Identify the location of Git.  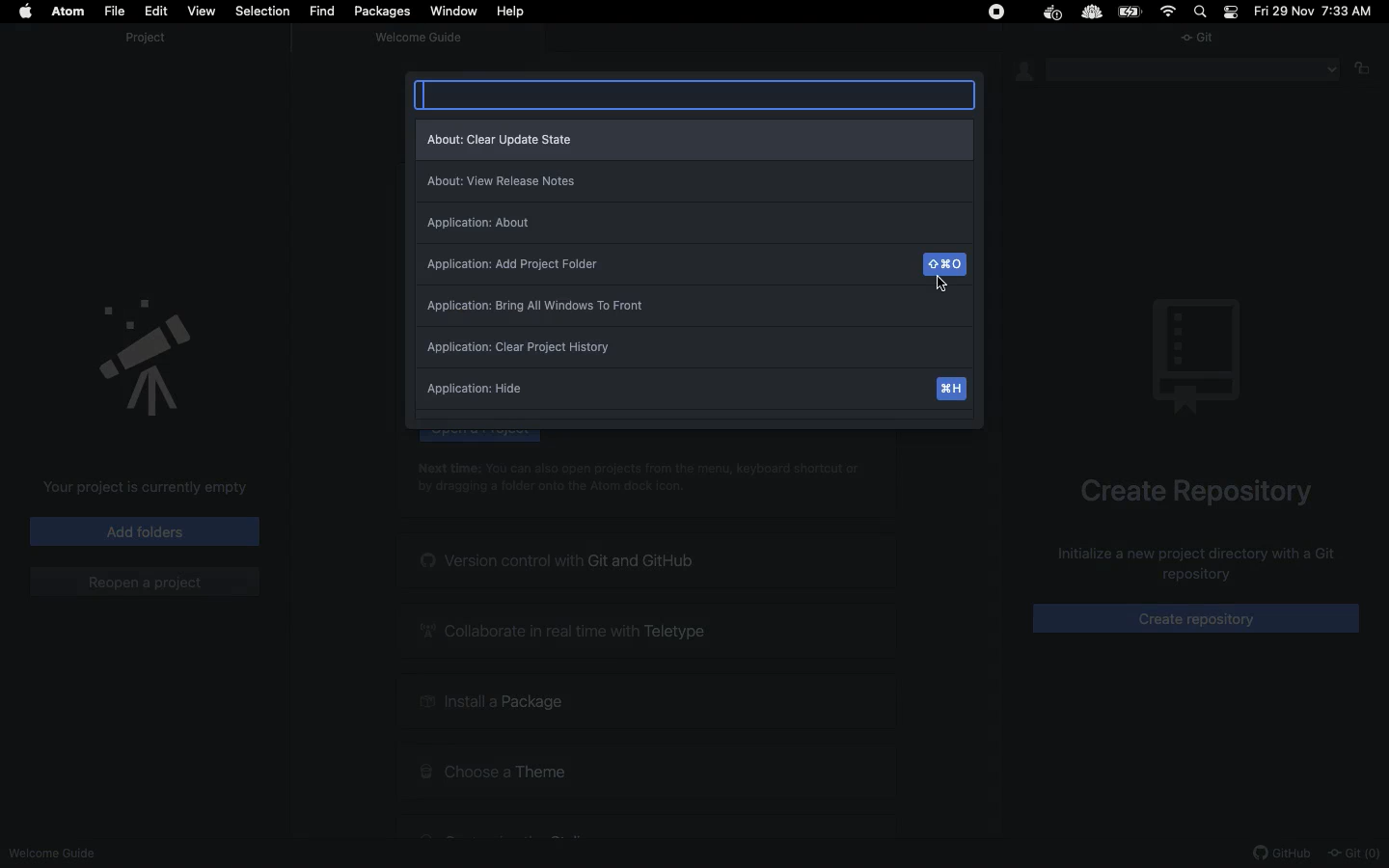
(1355, 854).